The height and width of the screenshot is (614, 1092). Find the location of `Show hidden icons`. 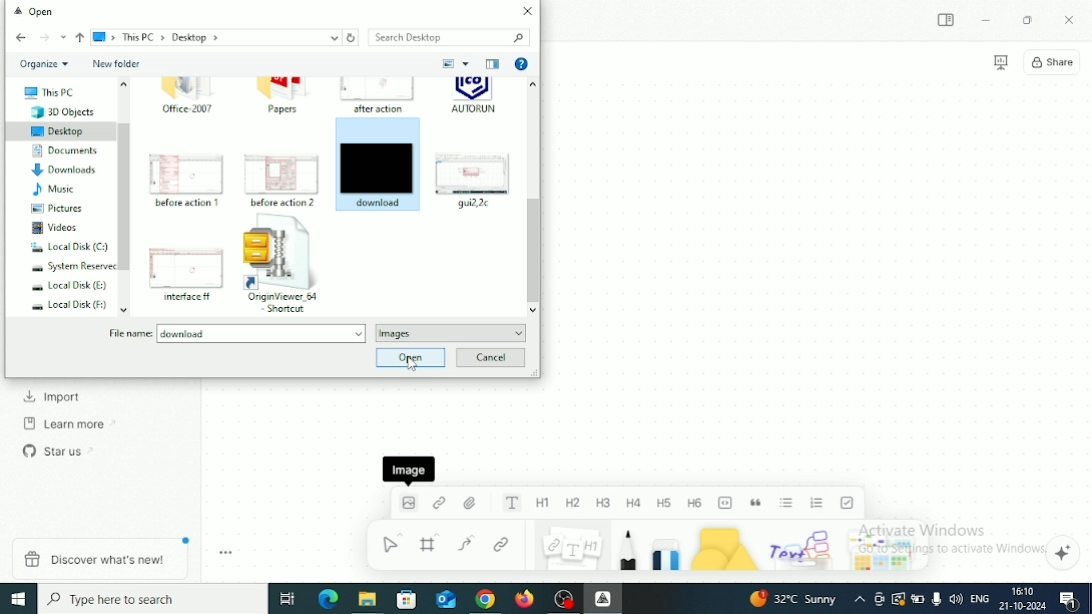

Show hidden icons is located at coordinates (860, 599).